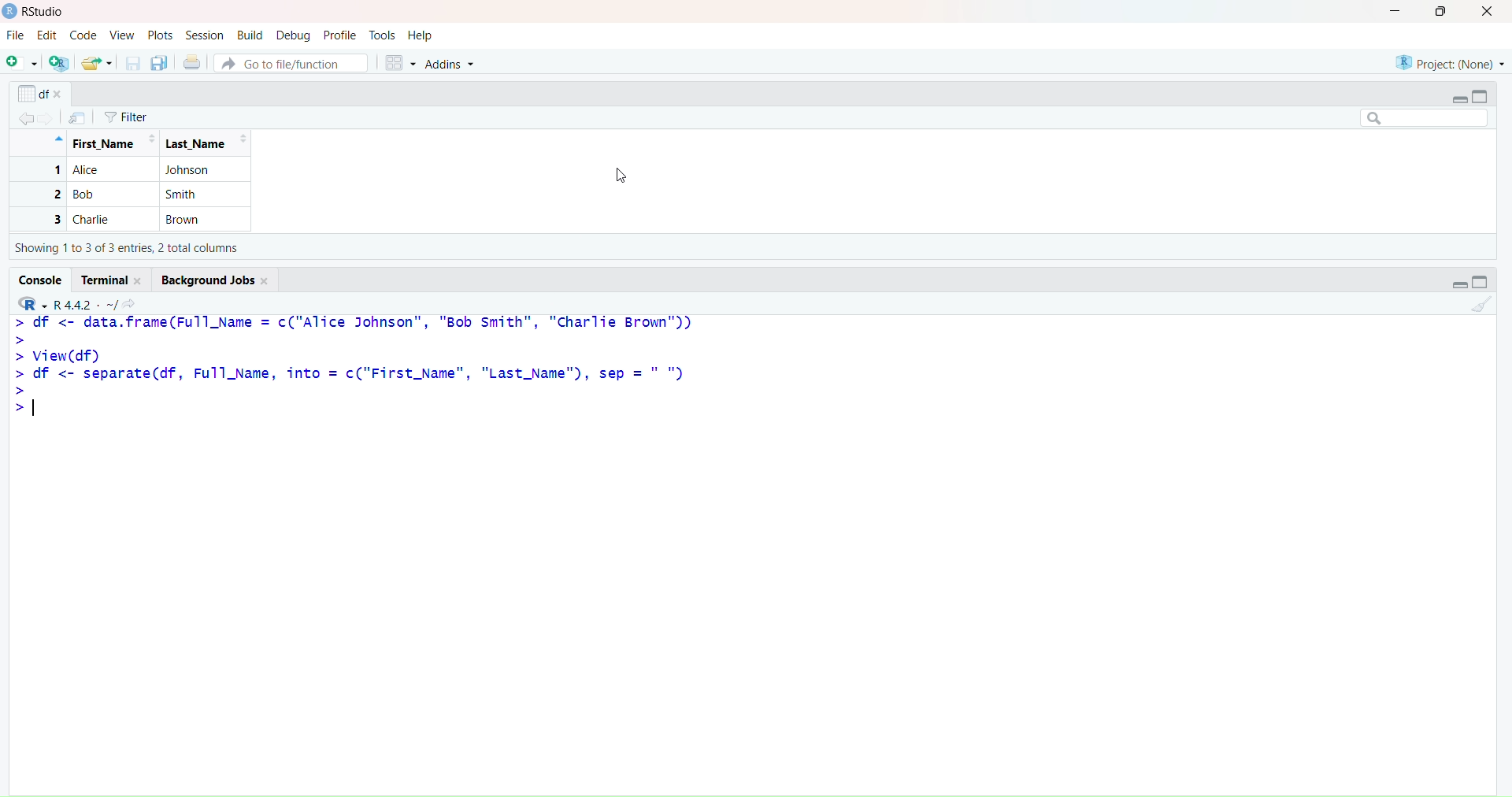 The image size is (1512, 797). What do you see at coordinates (1441, 14) in the screenshot?
I see `Maximize` at bounding box center [1441, 14].